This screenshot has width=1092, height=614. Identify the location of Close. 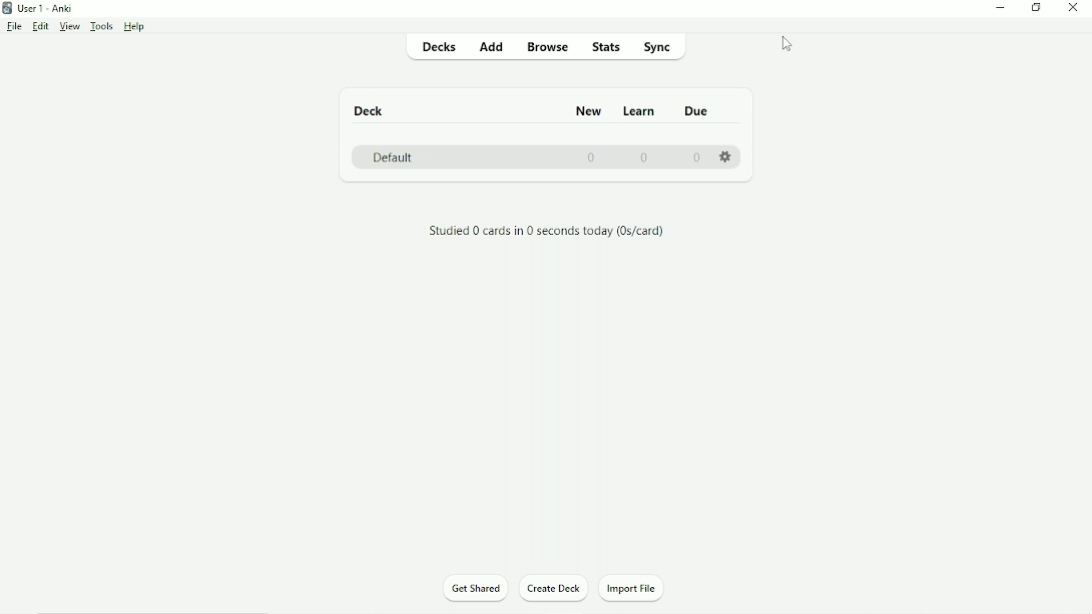
(1076, 8).